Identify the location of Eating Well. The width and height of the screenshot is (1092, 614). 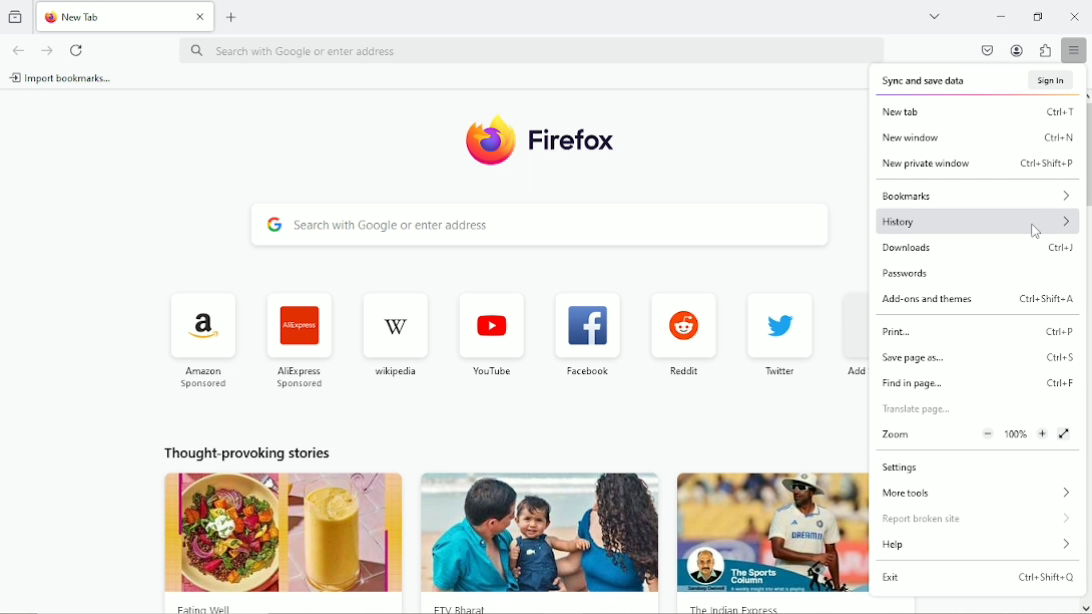
(284, 604).